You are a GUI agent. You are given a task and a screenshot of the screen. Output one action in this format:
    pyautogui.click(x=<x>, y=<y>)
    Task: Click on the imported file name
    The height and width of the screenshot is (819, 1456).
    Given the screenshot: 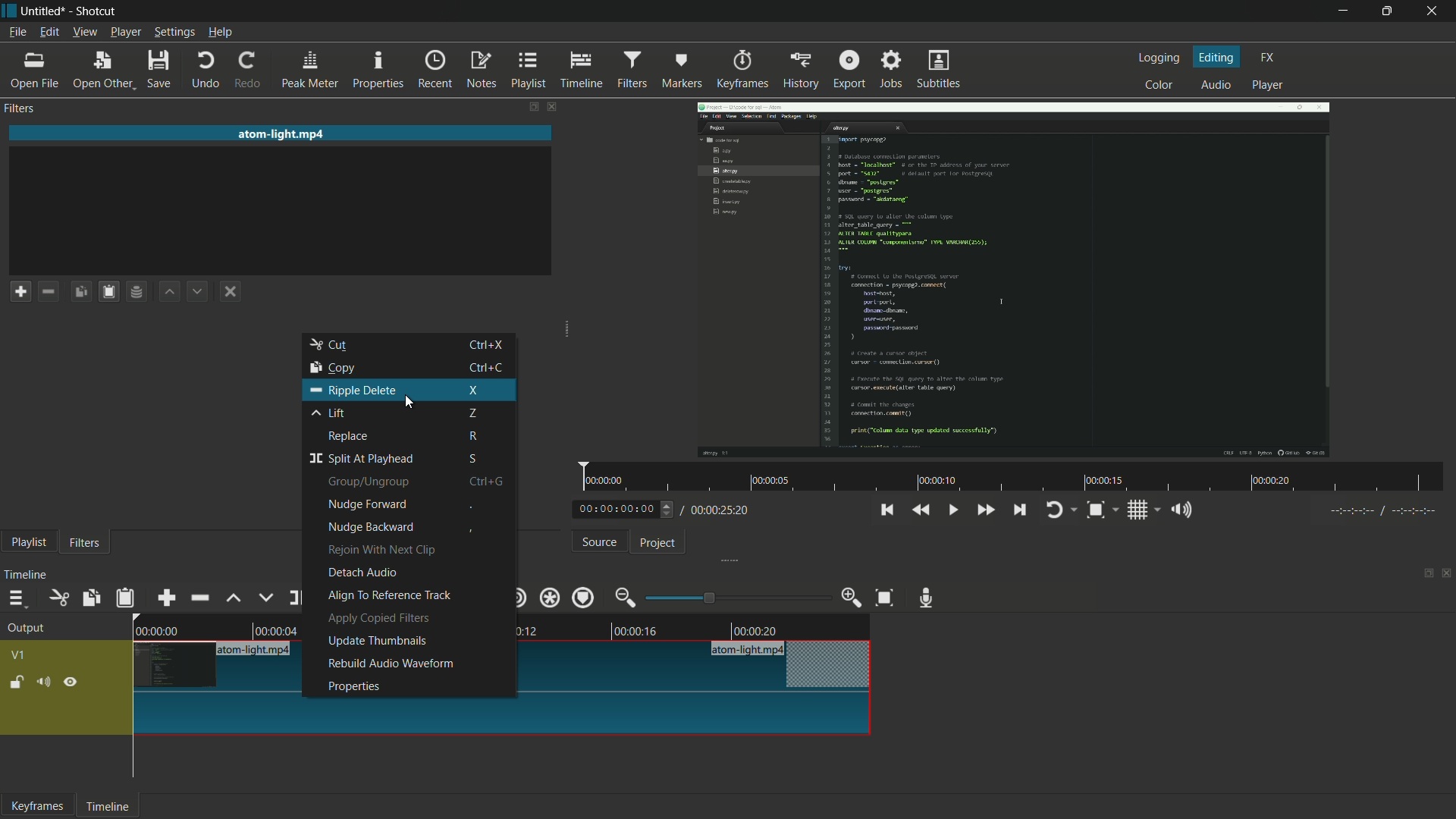 What is the action you would take?
    pyautogui.click(x=281, y=134)
    